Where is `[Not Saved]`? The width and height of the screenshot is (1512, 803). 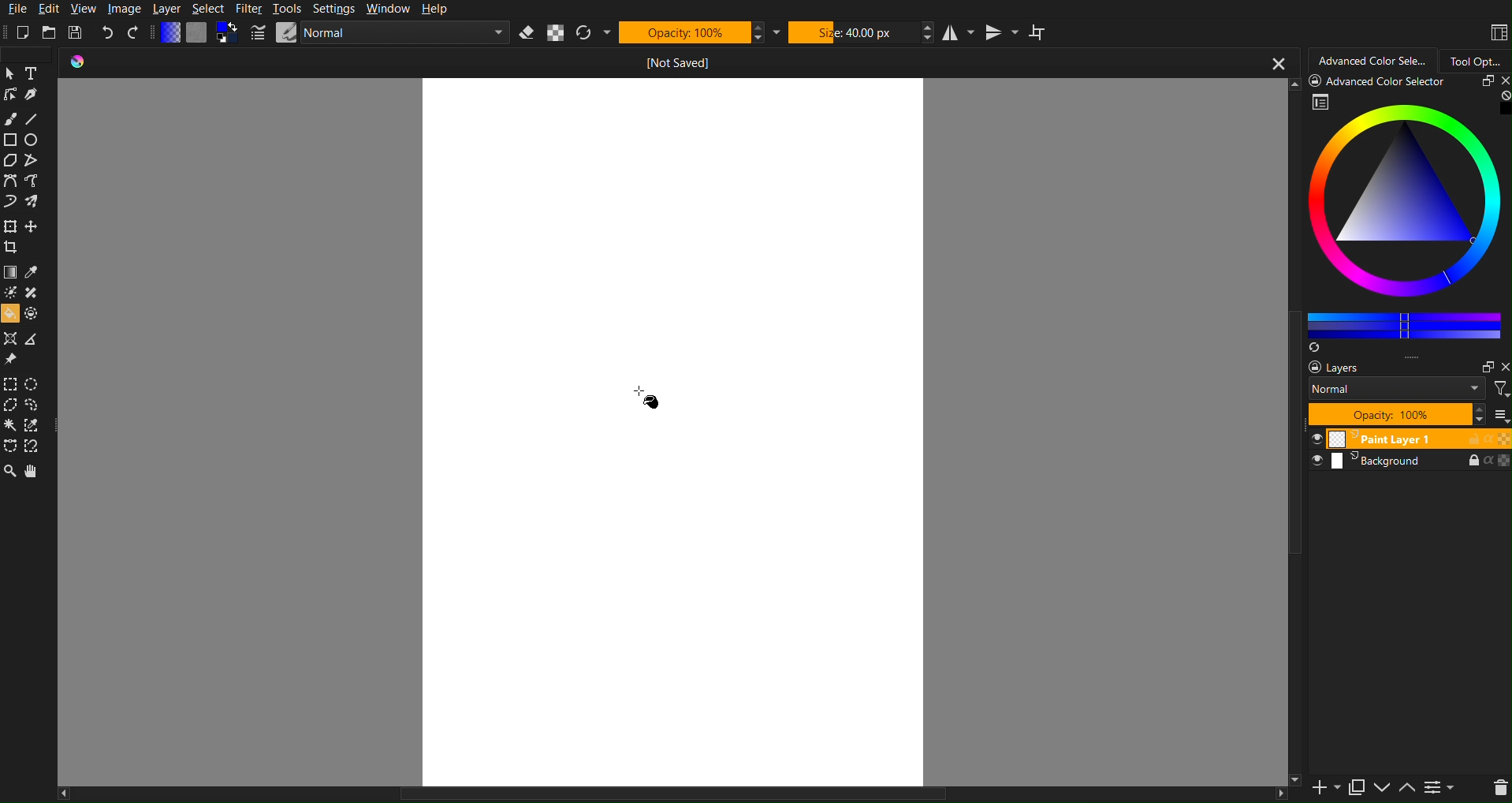 [Not Saved] is located at coordinates (679, 60).